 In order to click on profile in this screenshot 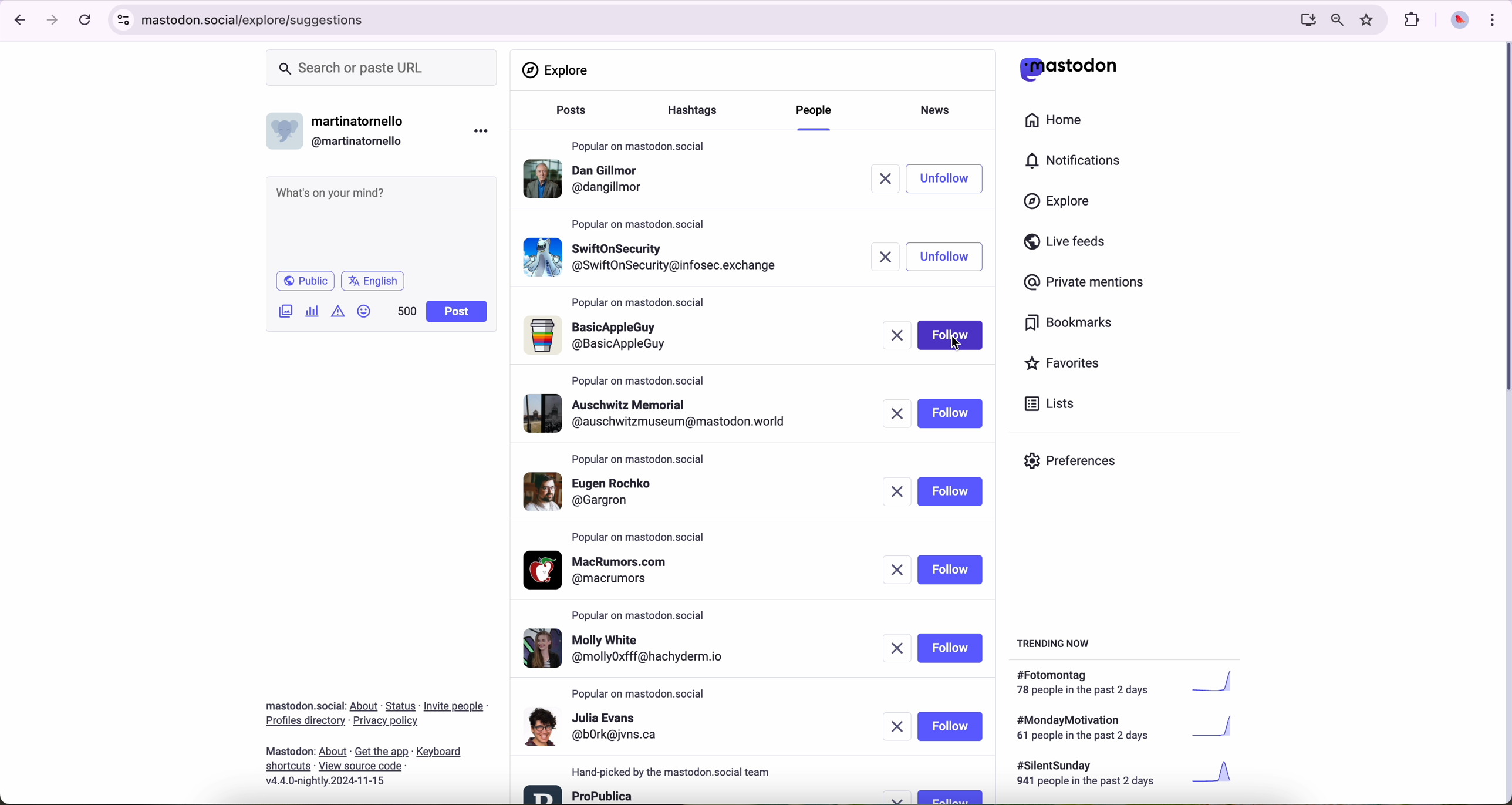, I will do `click(601, 336)`.